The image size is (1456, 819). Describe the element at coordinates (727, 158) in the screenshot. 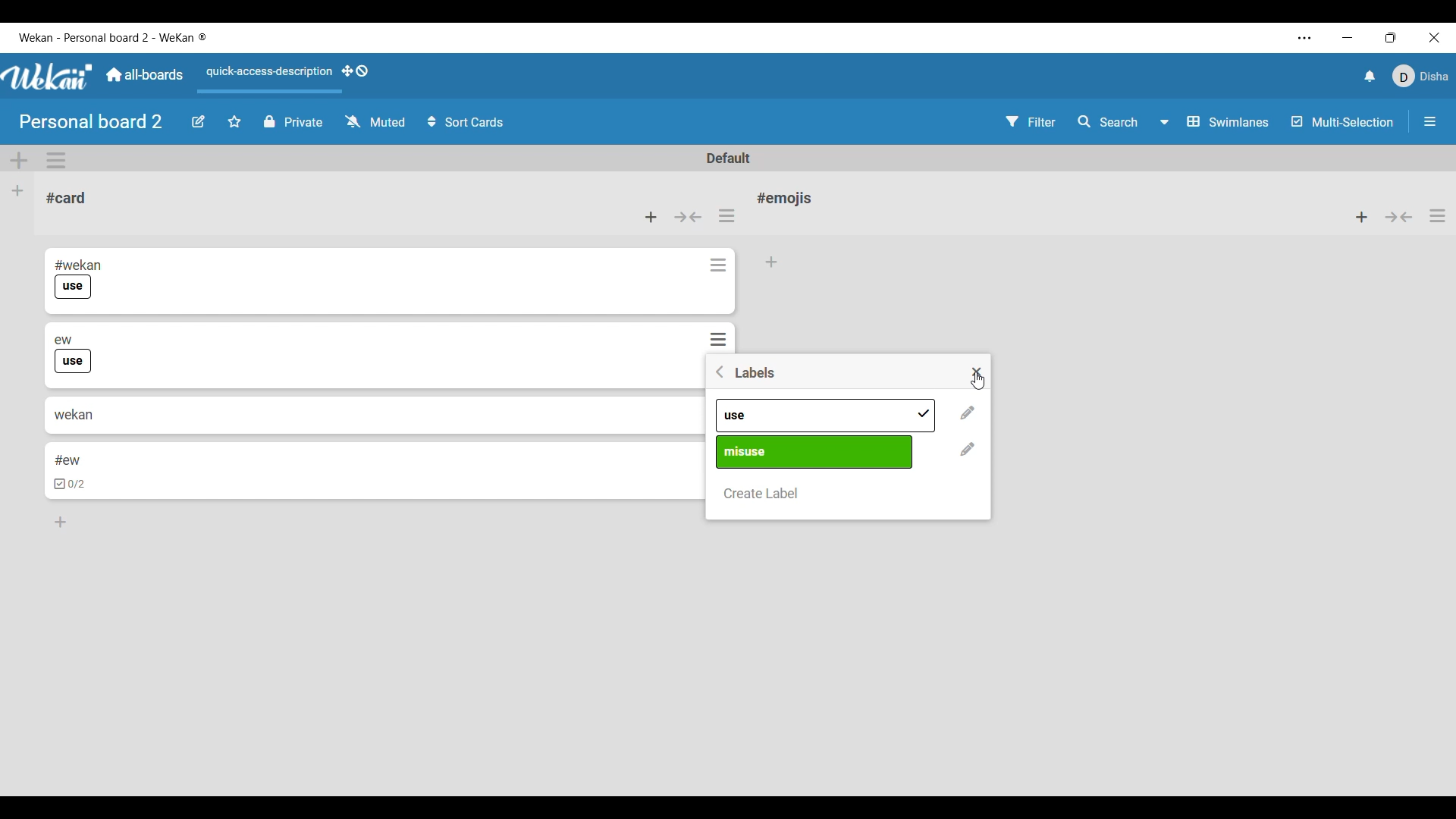

I see `Default` at that location.